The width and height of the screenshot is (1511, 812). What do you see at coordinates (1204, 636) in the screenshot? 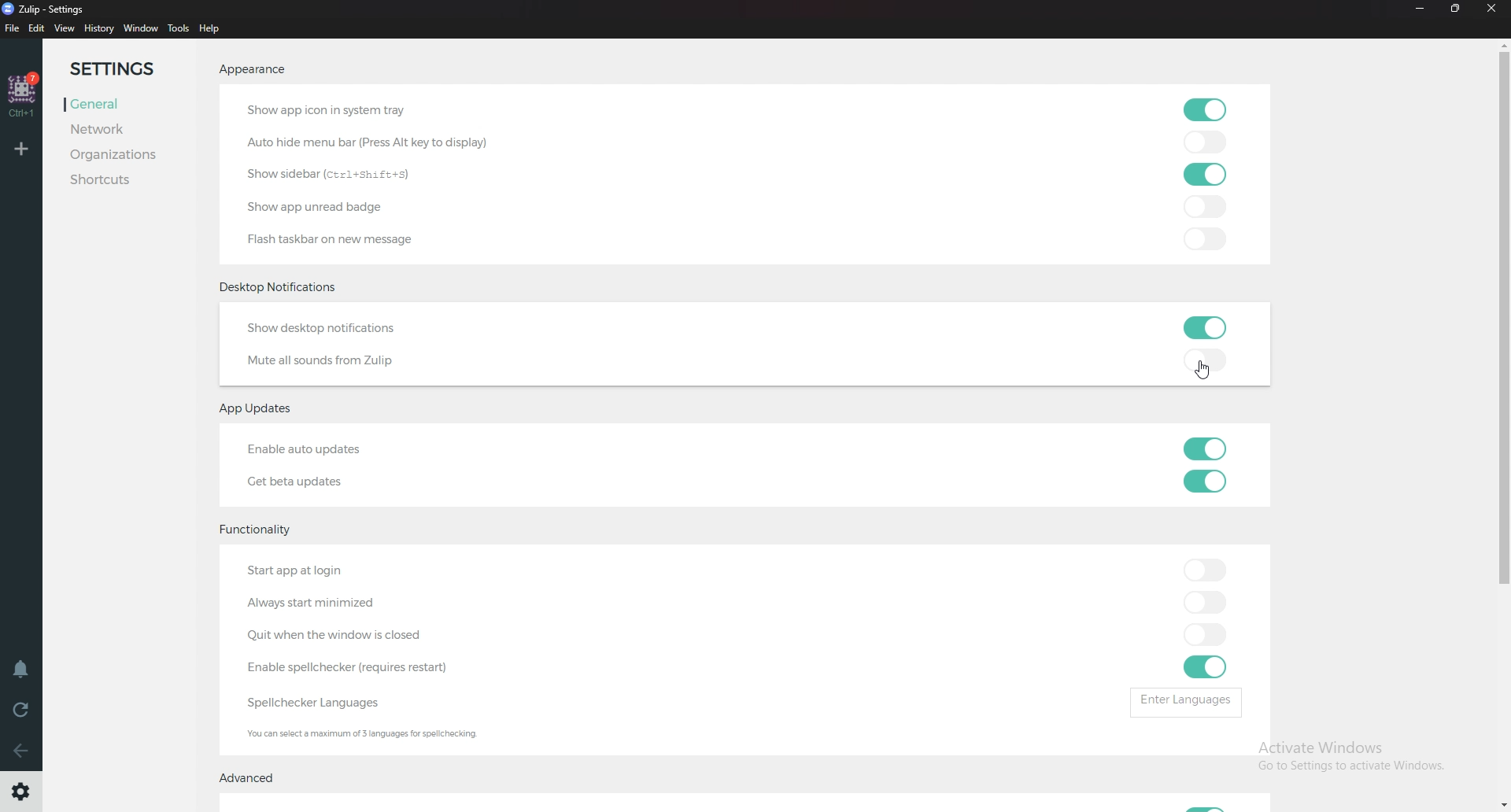
I see `toggle` at bounding box center [1204, 636].